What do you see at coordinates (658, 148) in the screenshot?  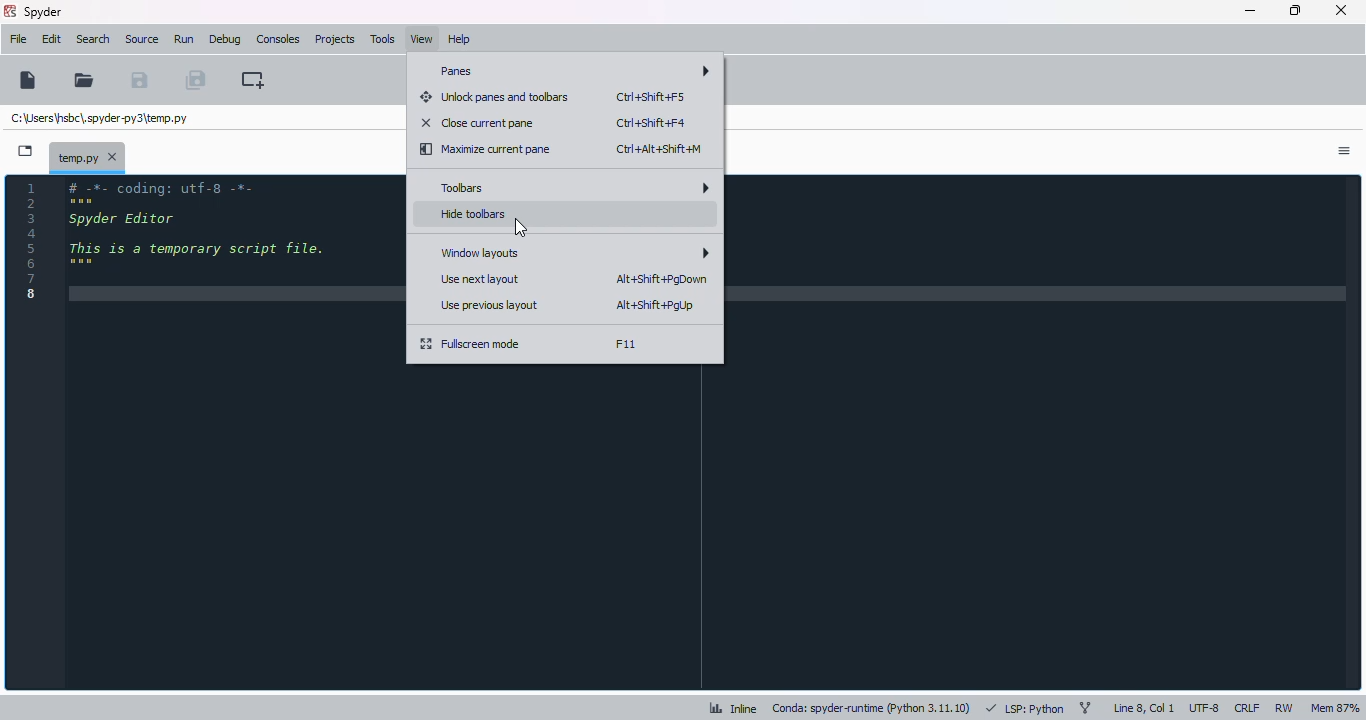 I see `shortcut for maximize current pane` at bounding box center [658, 148].